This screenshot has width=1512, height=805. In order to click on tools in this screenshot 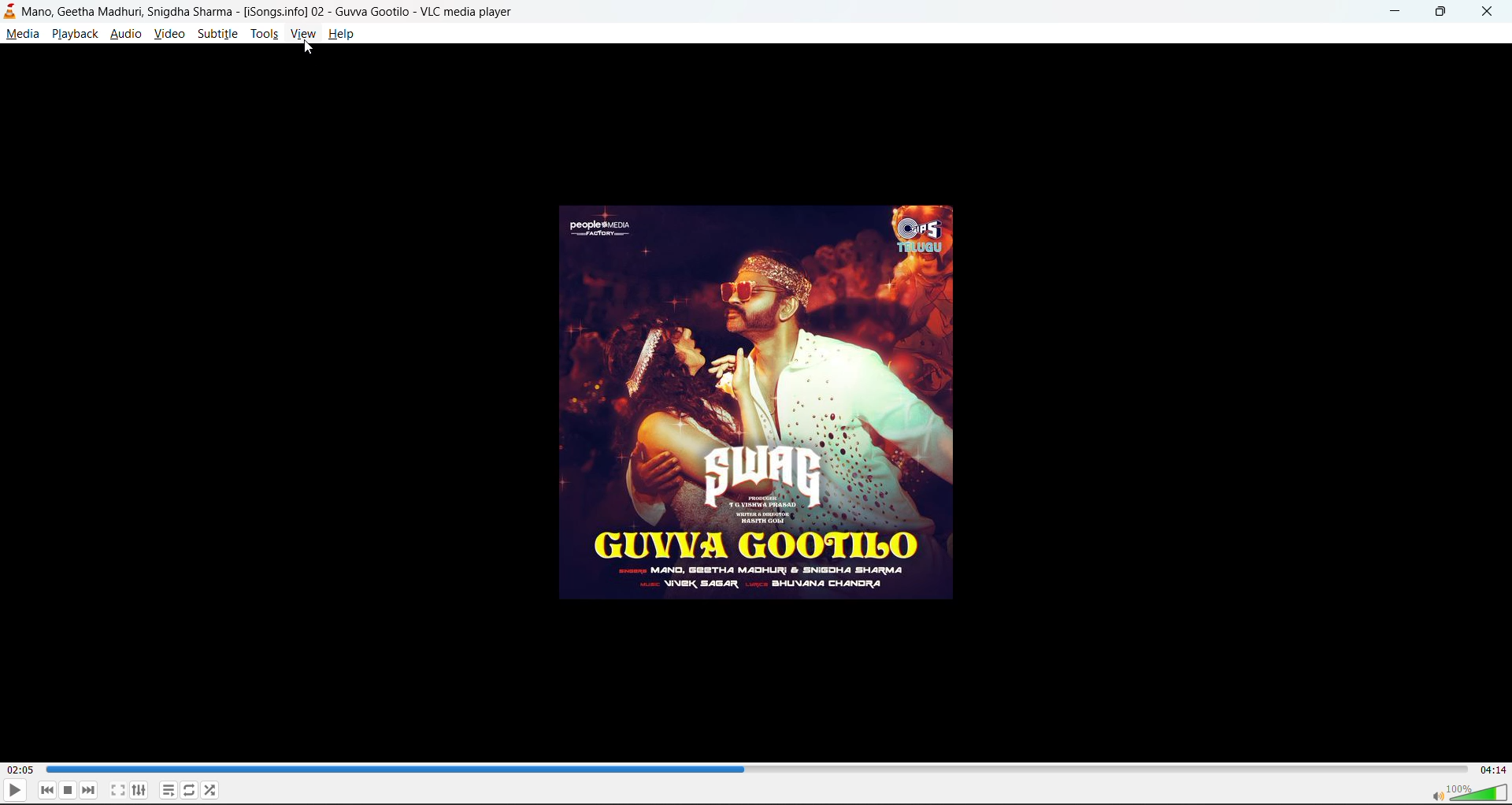, I will do `click(265, 33)`.